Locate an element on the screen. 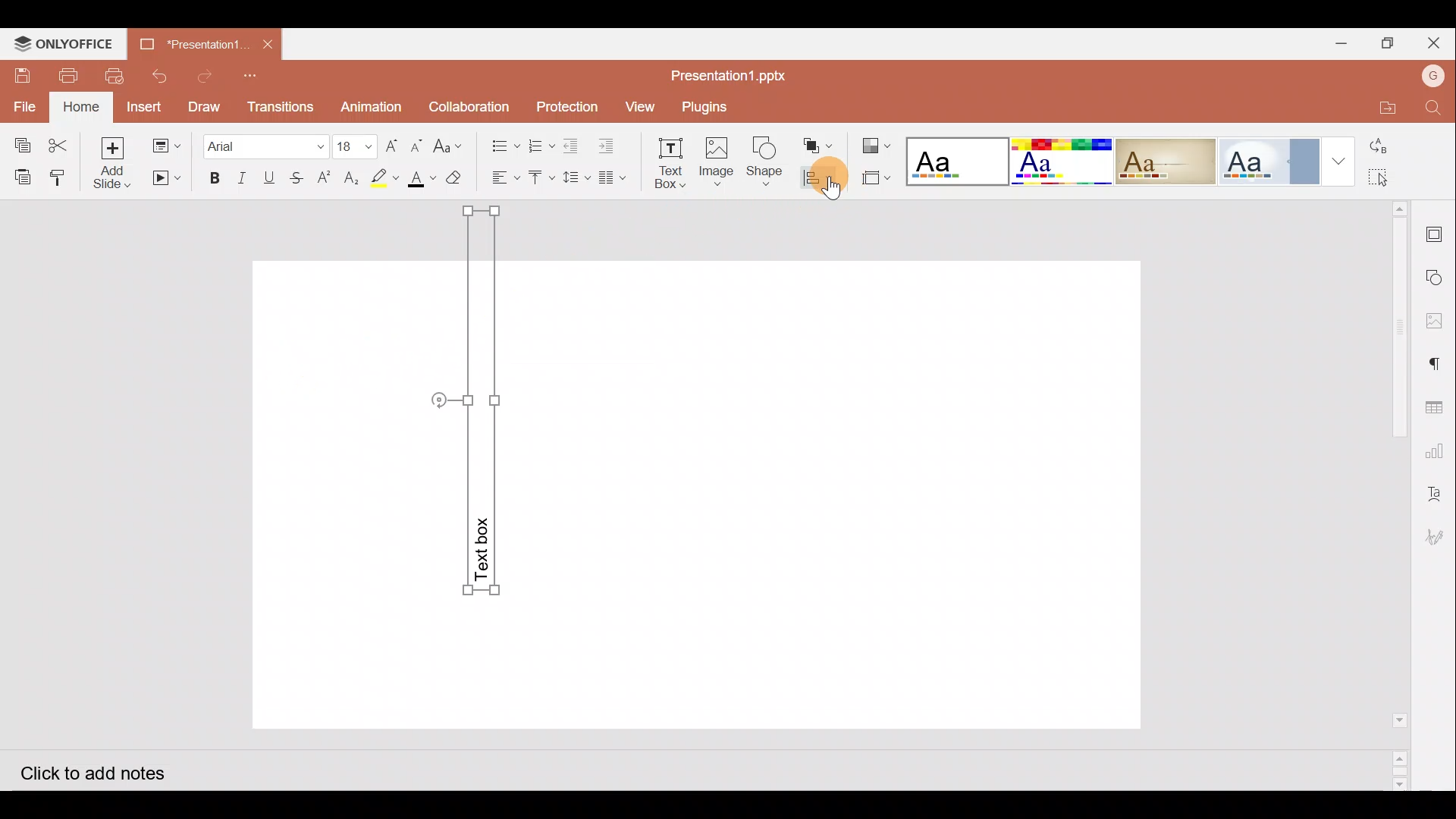  Italic is located at coordinates (241, 178).